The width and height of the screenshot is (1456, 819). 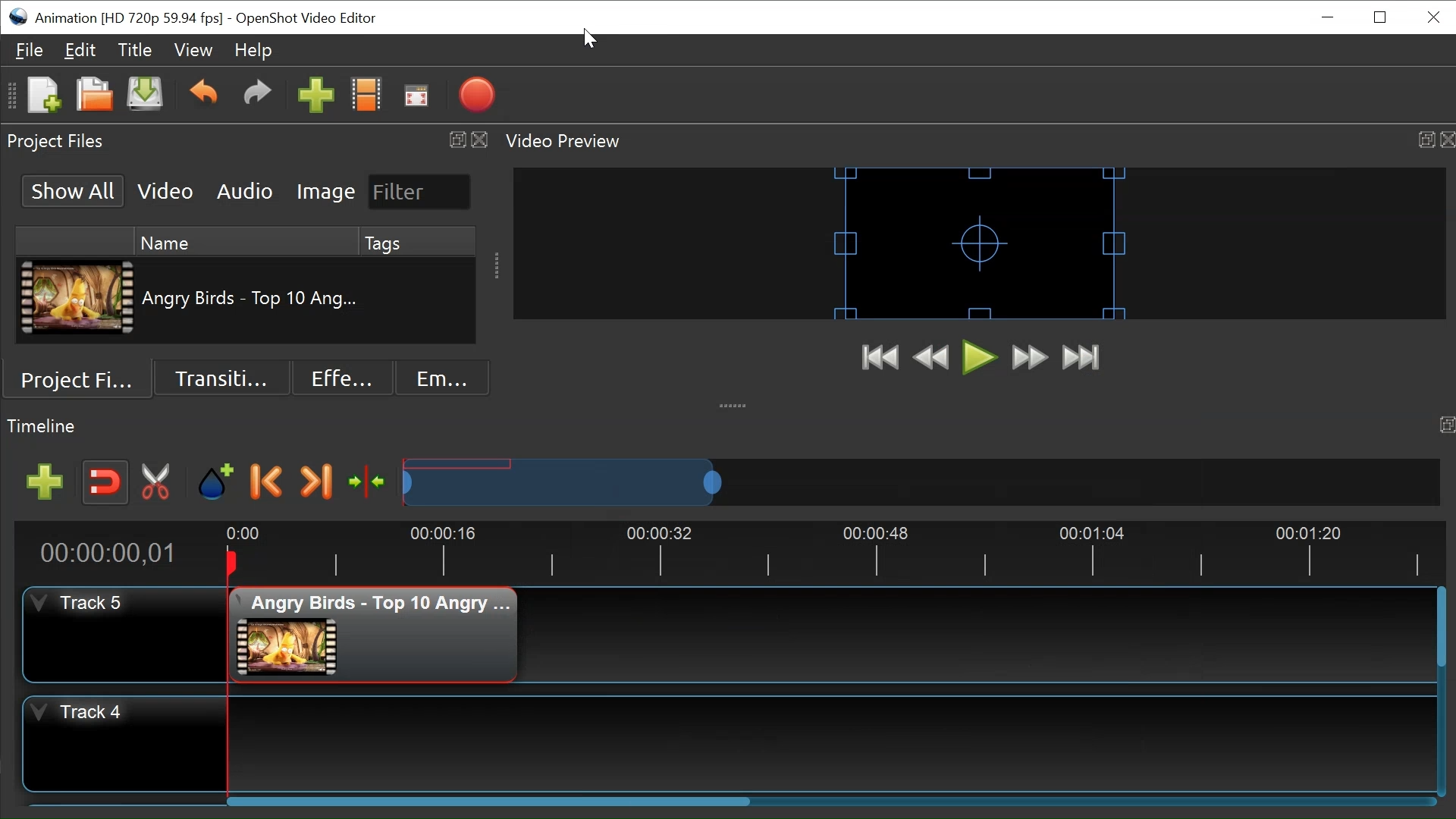 What do you see at coordinates (103, 481) in the screenshot?
I see `Snap` at bounding box center [103, 481].